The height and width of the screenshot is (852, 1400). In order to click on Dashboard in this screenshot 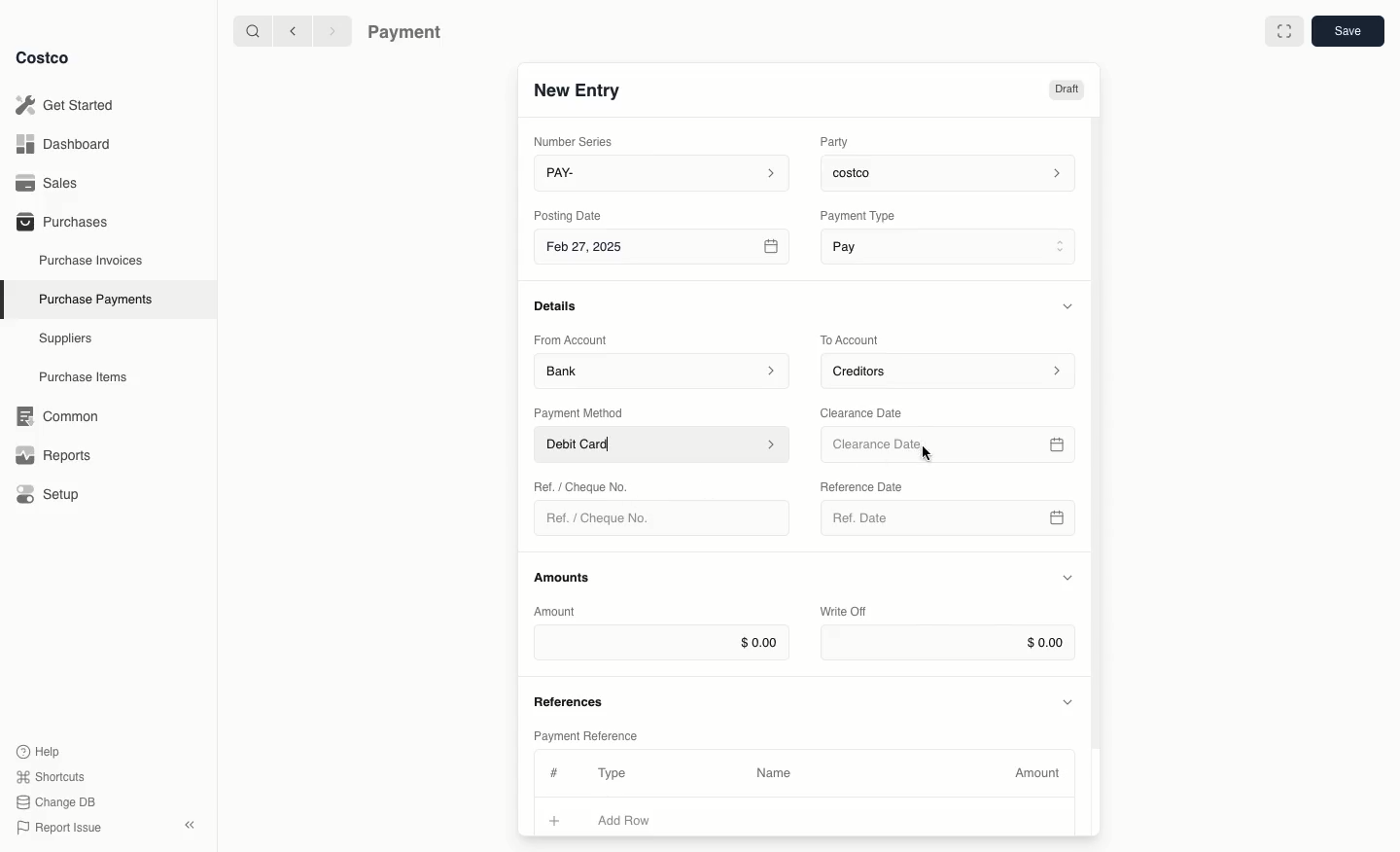, I will do `click(69, 143)`.